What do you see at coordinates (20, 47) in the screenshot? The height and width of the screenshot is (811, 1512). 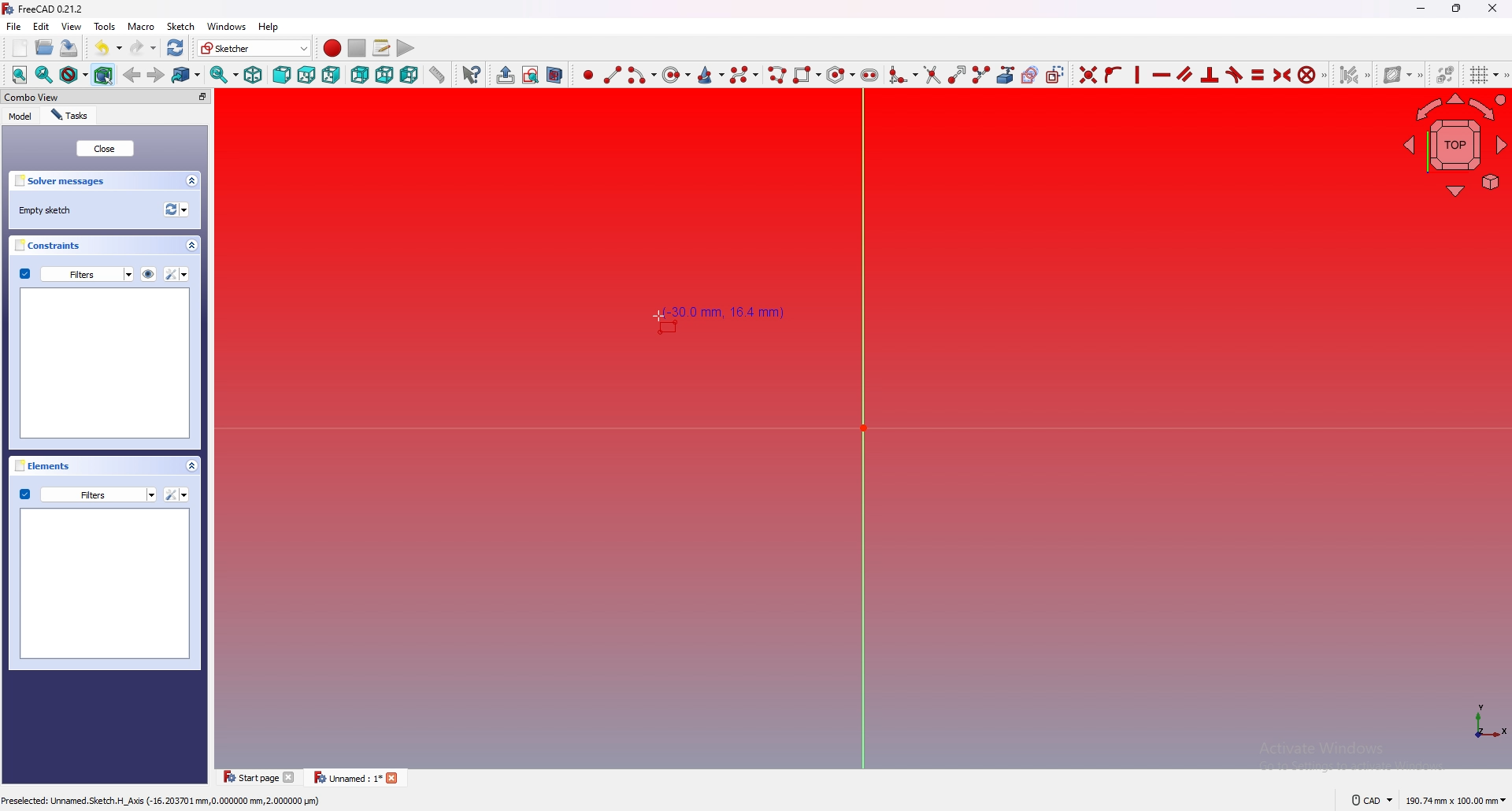 I see `new` at bounding box center [20, 47].